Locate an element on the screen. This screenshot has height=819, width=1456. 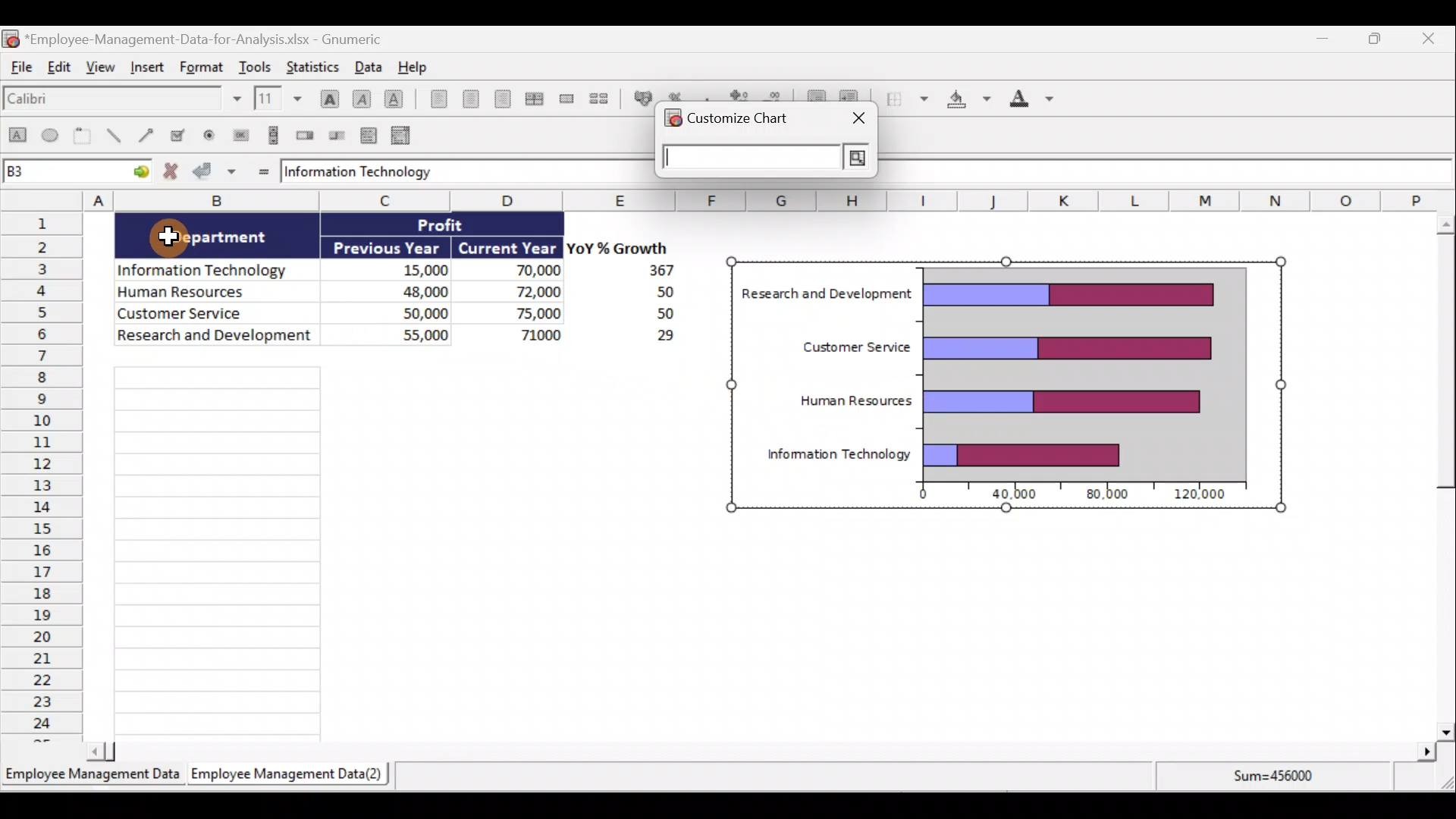
Decrease indent, align contents to the left is located at coordinates (814, 93).